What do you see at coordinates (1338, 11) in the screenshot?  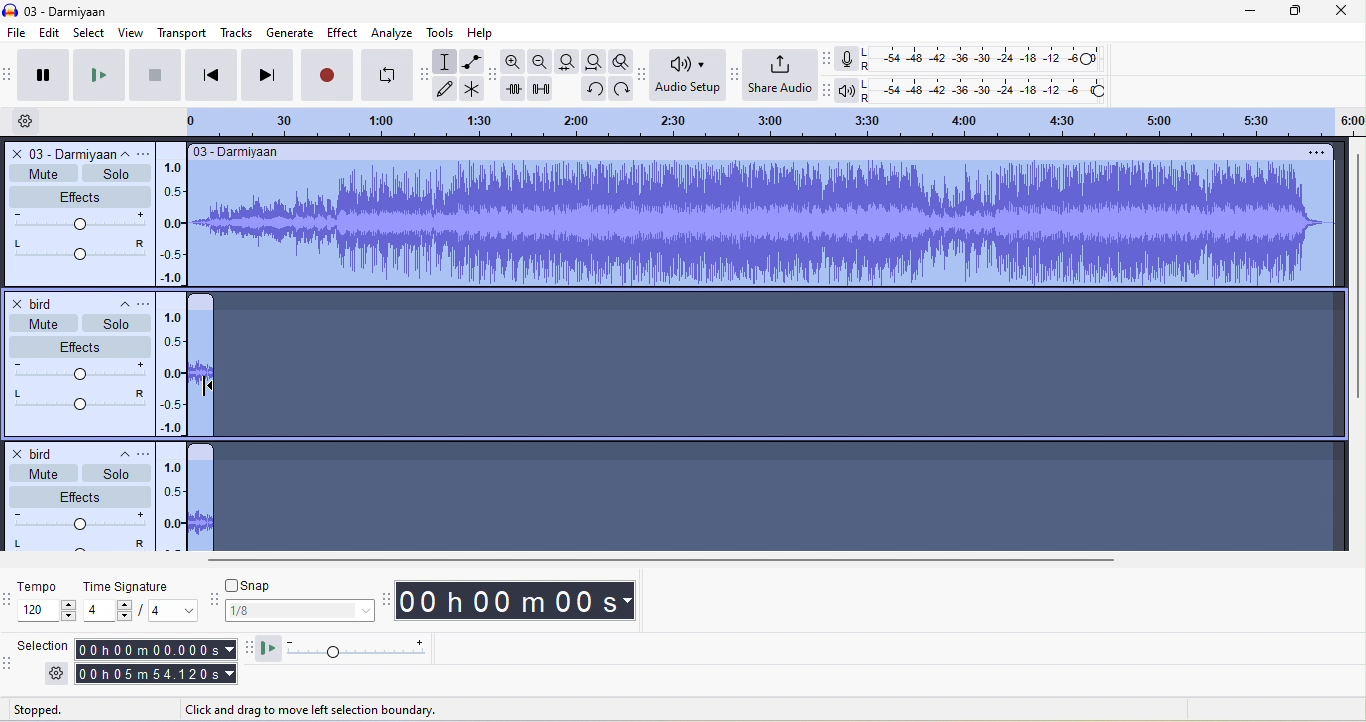 I see `close` at bounding box center [1338, 11].